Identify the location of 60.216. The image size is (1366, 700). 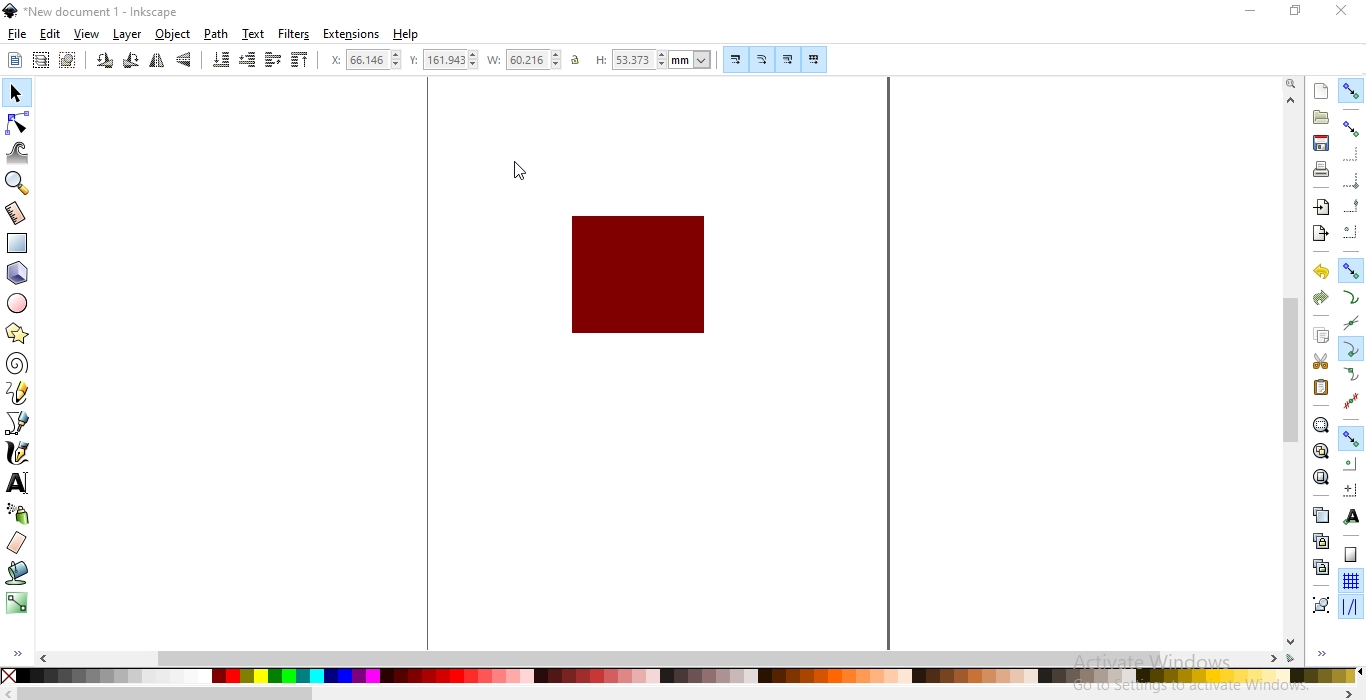
(535, 60).